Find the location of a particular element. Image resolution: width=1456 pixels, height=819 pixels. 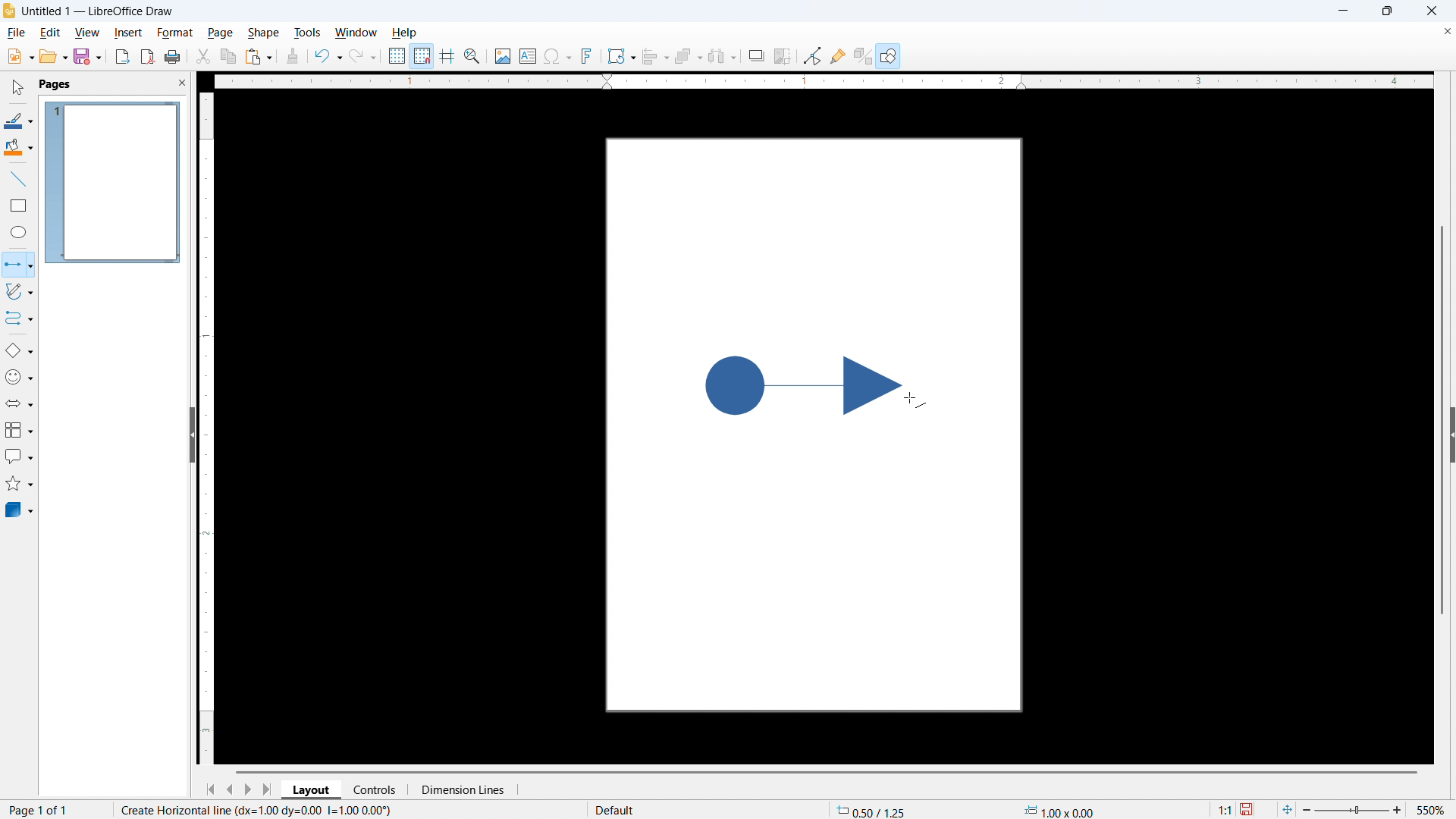

Expand panel  is located at coordinates (1451, 435).